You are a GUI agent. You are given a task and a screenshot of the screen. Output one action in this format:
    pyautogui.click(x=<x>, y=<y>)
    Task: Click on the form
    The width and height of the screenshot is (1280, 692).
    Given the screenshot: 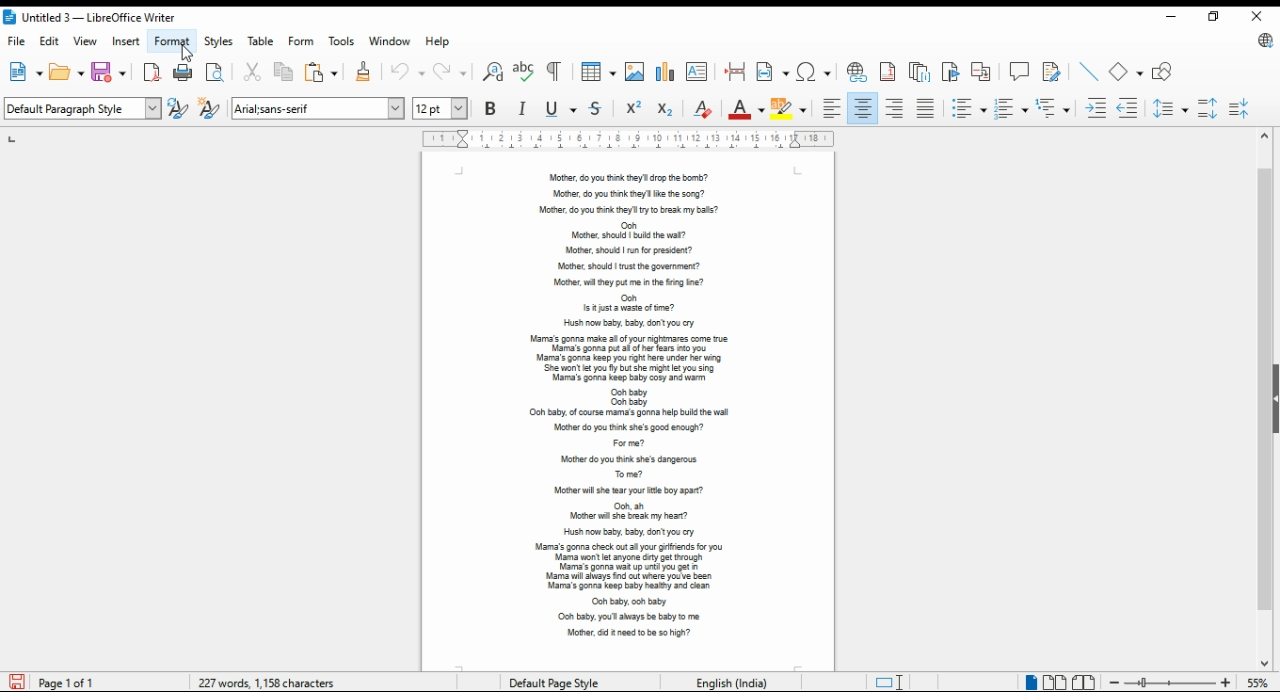 What is the action you would take?
    pyautogui.click(x=302, y=42)
    